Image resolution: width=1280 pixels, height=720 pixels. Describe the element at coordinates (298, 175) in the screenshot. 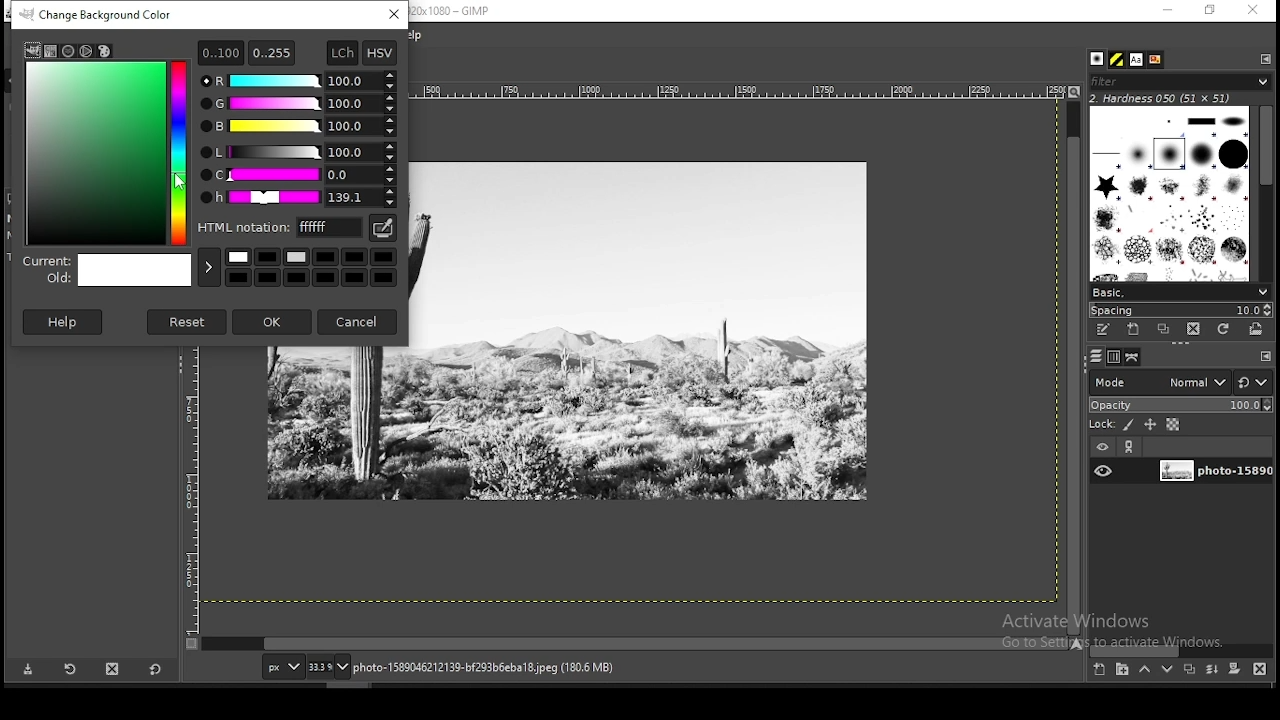

I see `lch chroma` at that location.